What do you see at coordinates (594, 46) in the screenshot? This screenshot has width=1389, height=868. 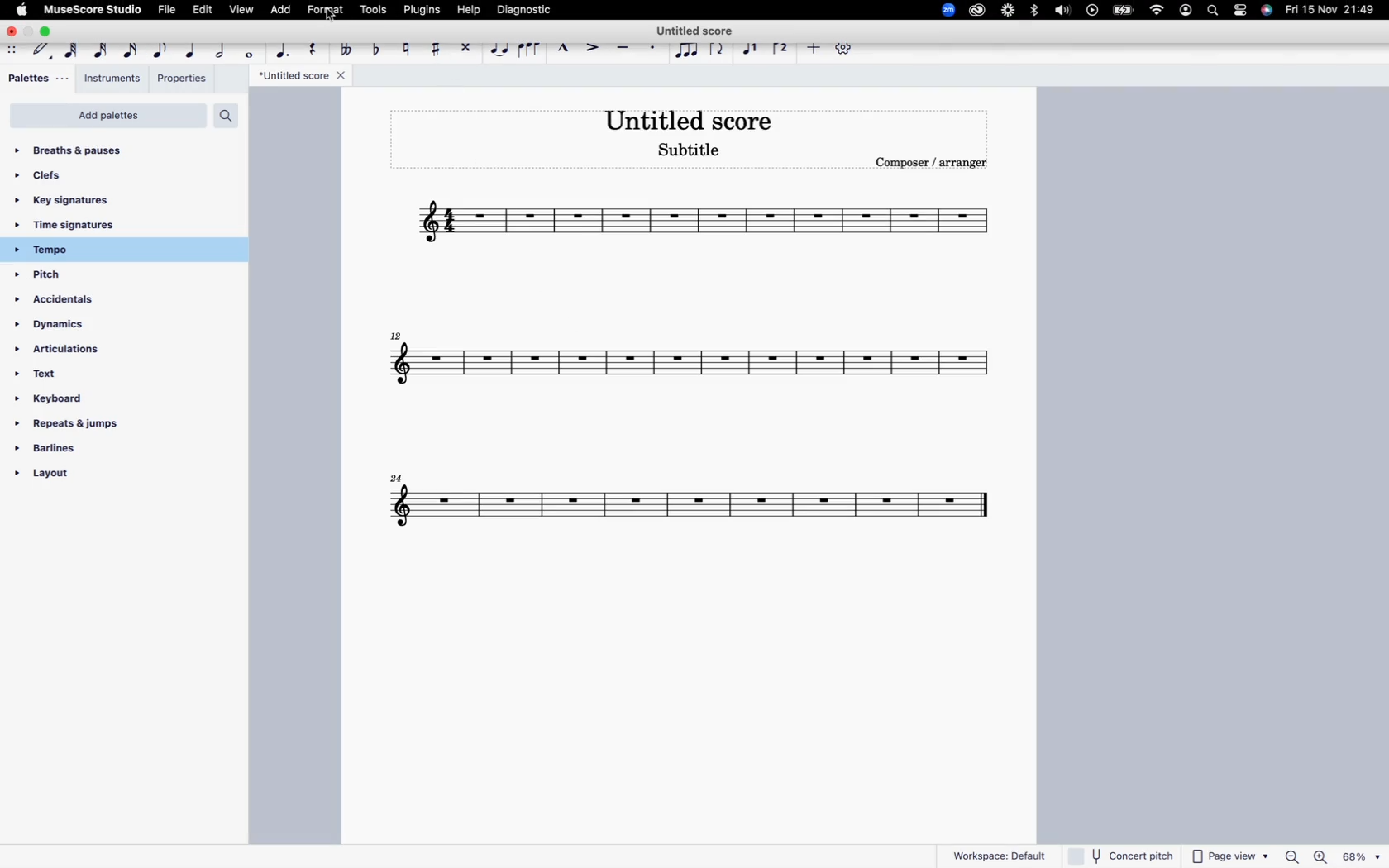 I see `accent` at bounding box center [594, 46].